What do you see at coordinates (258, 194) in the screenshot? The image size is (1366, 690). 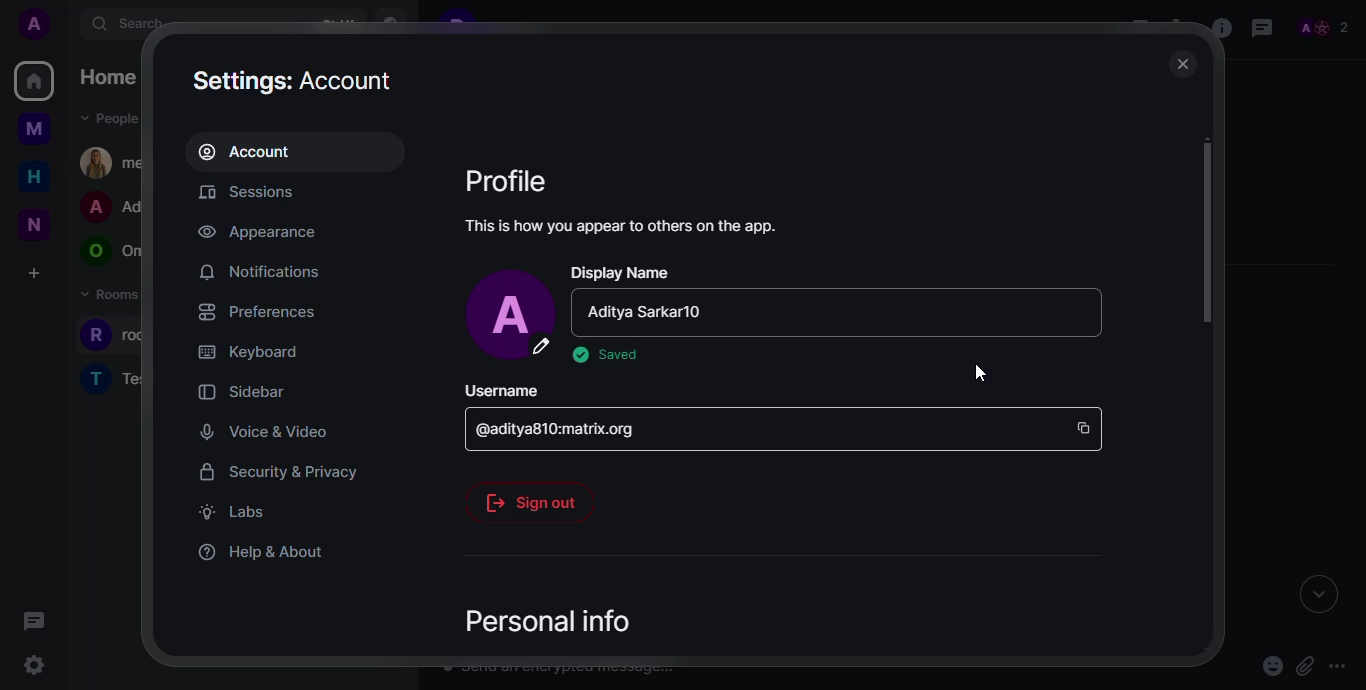 I see `sessions` at bounding box center [258, 194].